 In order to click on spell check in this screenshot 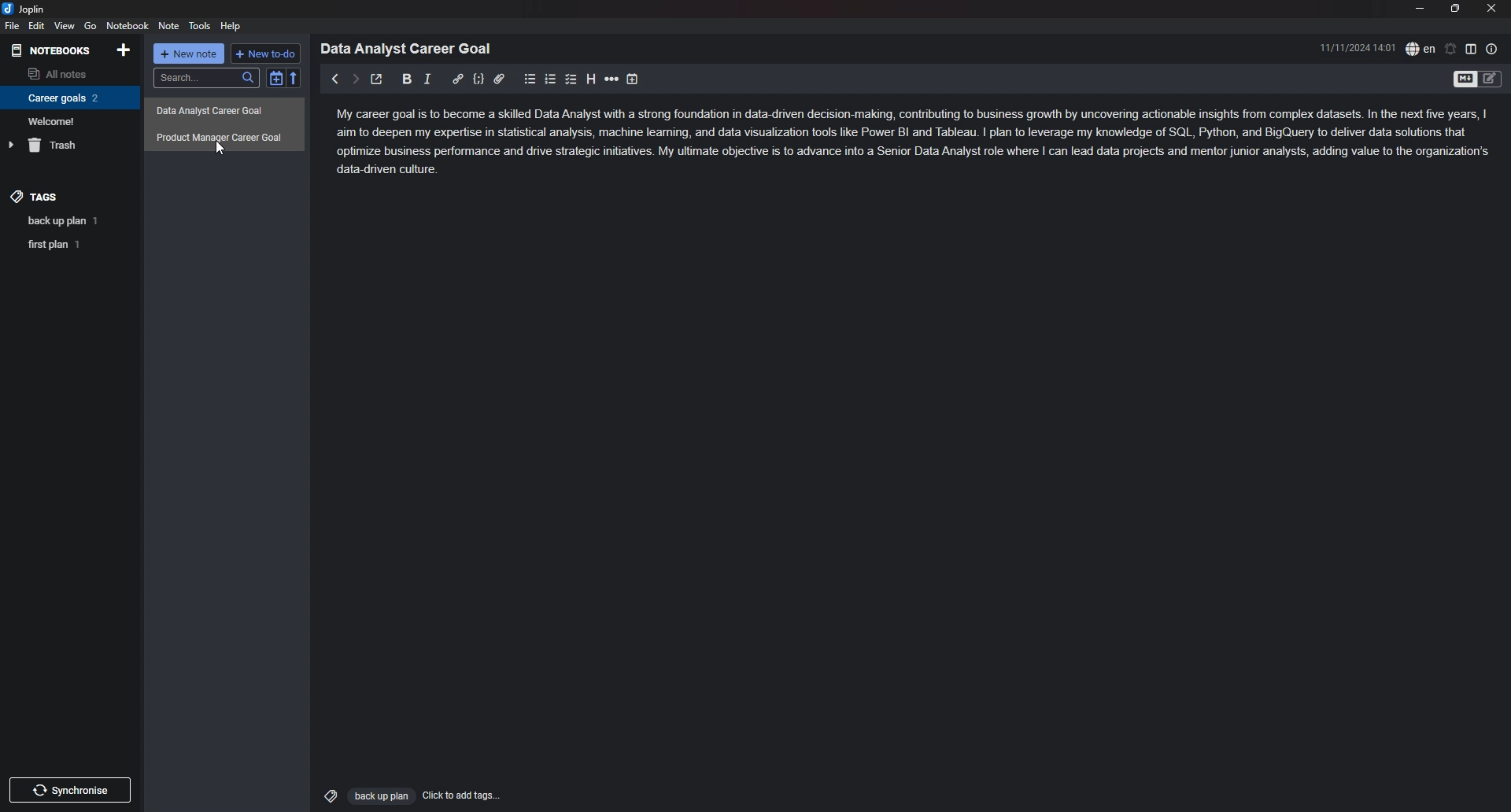, I will do `click(1420, 49)`.